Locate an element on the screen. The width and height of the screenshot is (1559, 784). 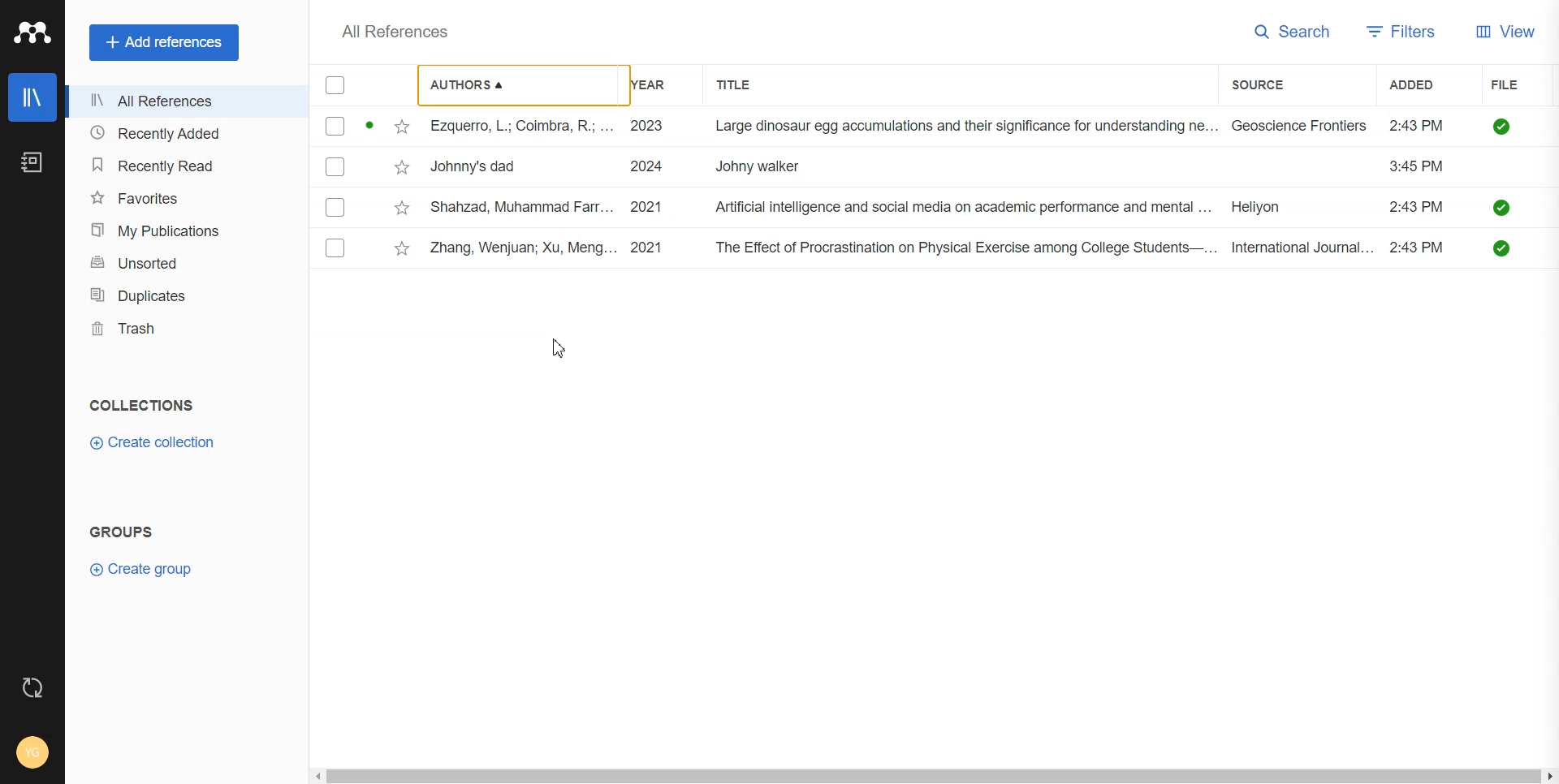
Johnny's Dad is located at coordinates (482, 167).